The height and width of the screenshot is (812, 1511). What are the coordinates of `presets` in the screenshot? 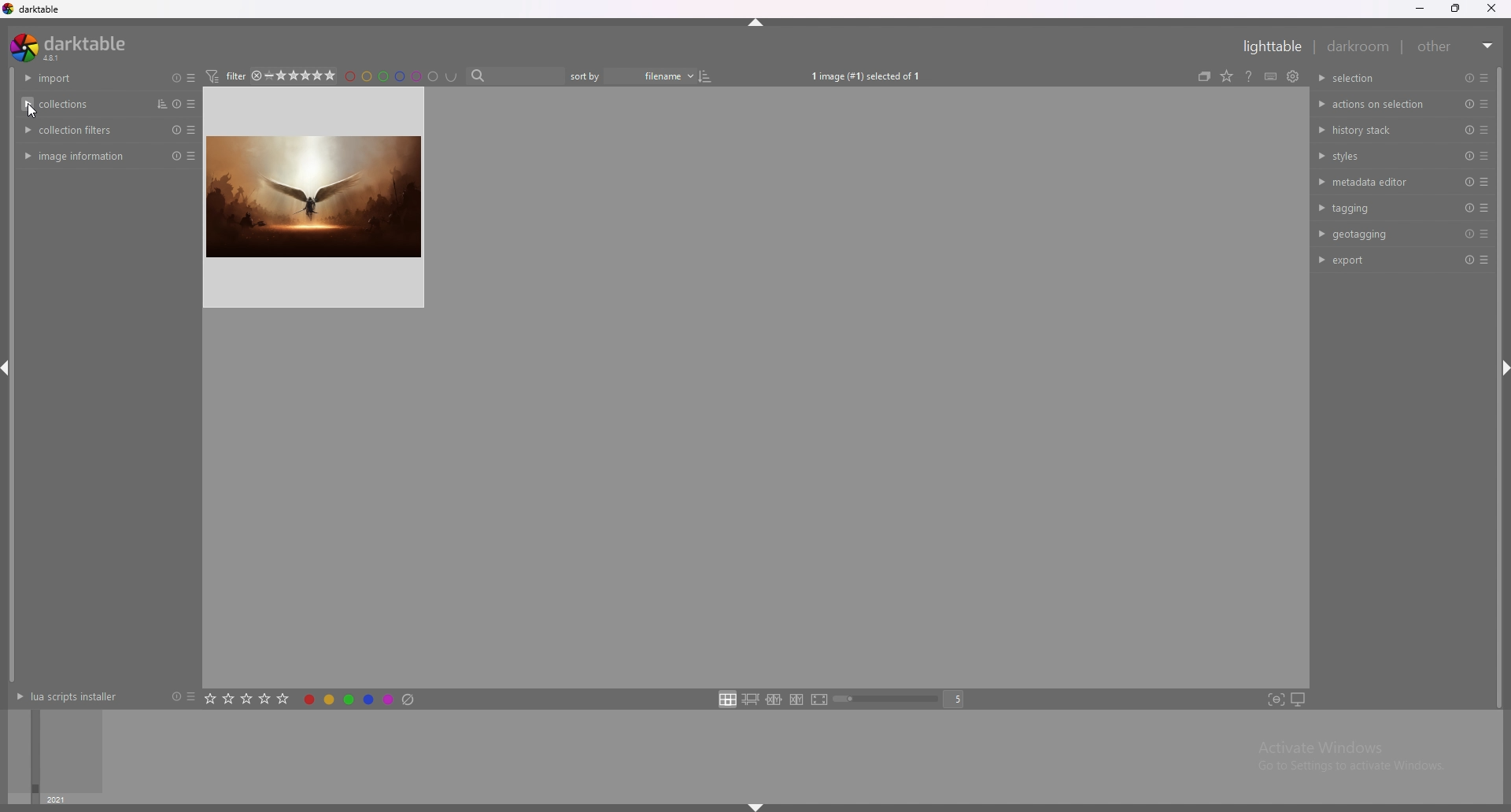 It's located at (1485, 261).